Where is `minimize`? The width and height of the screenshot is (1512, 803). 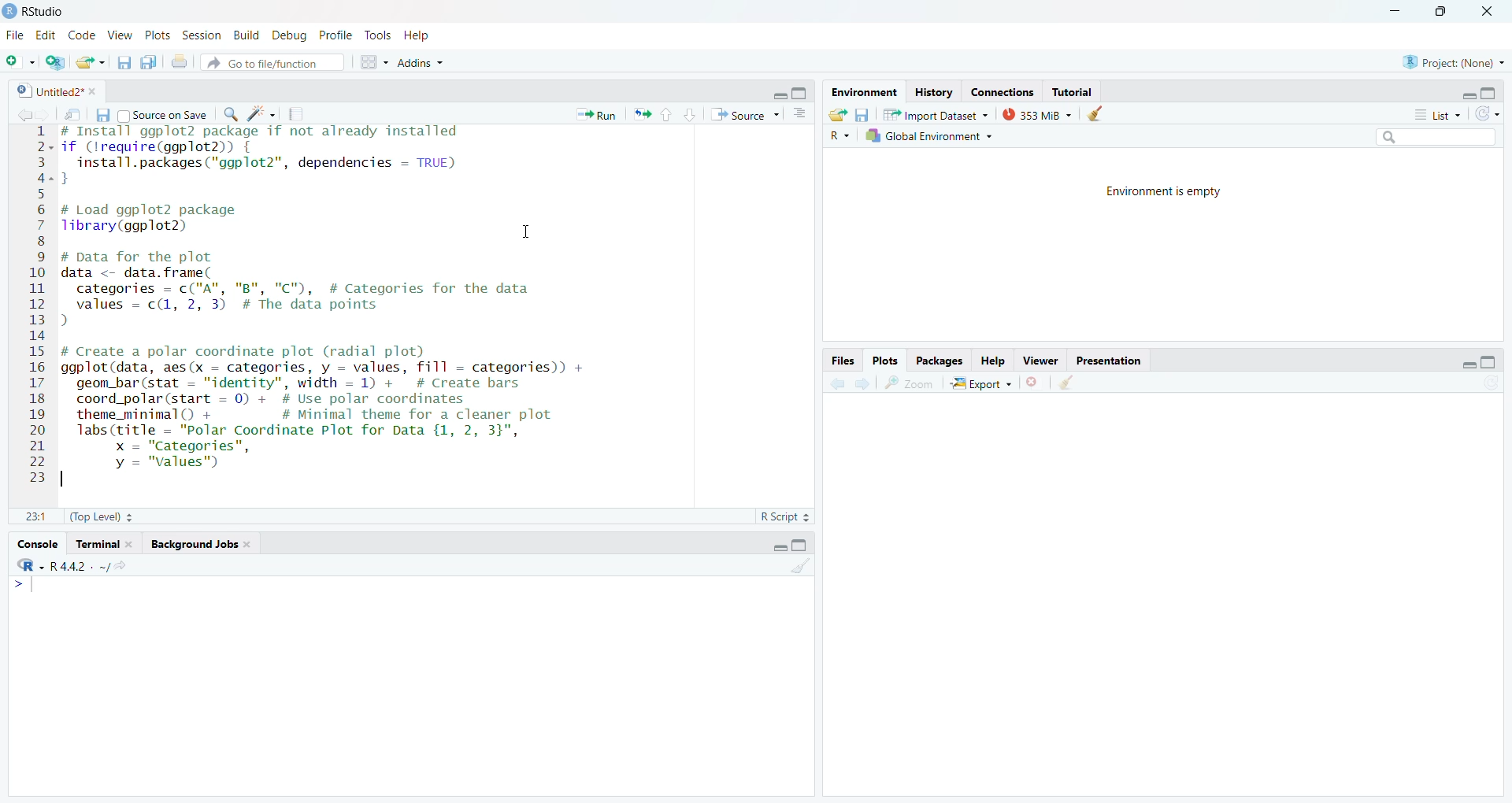 minimize is located at coordinates (1393, 9).